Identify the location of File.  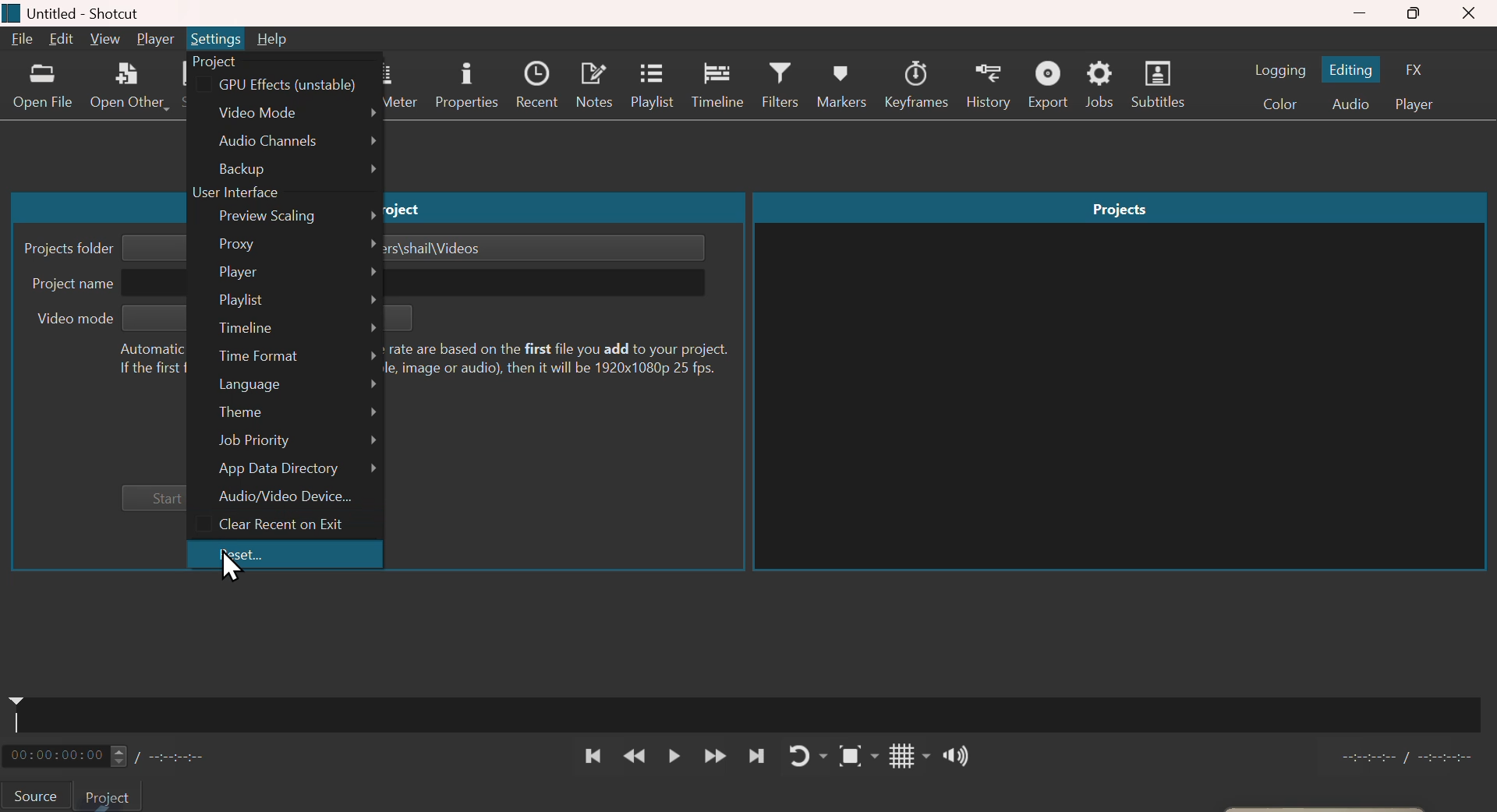
(20, 41).